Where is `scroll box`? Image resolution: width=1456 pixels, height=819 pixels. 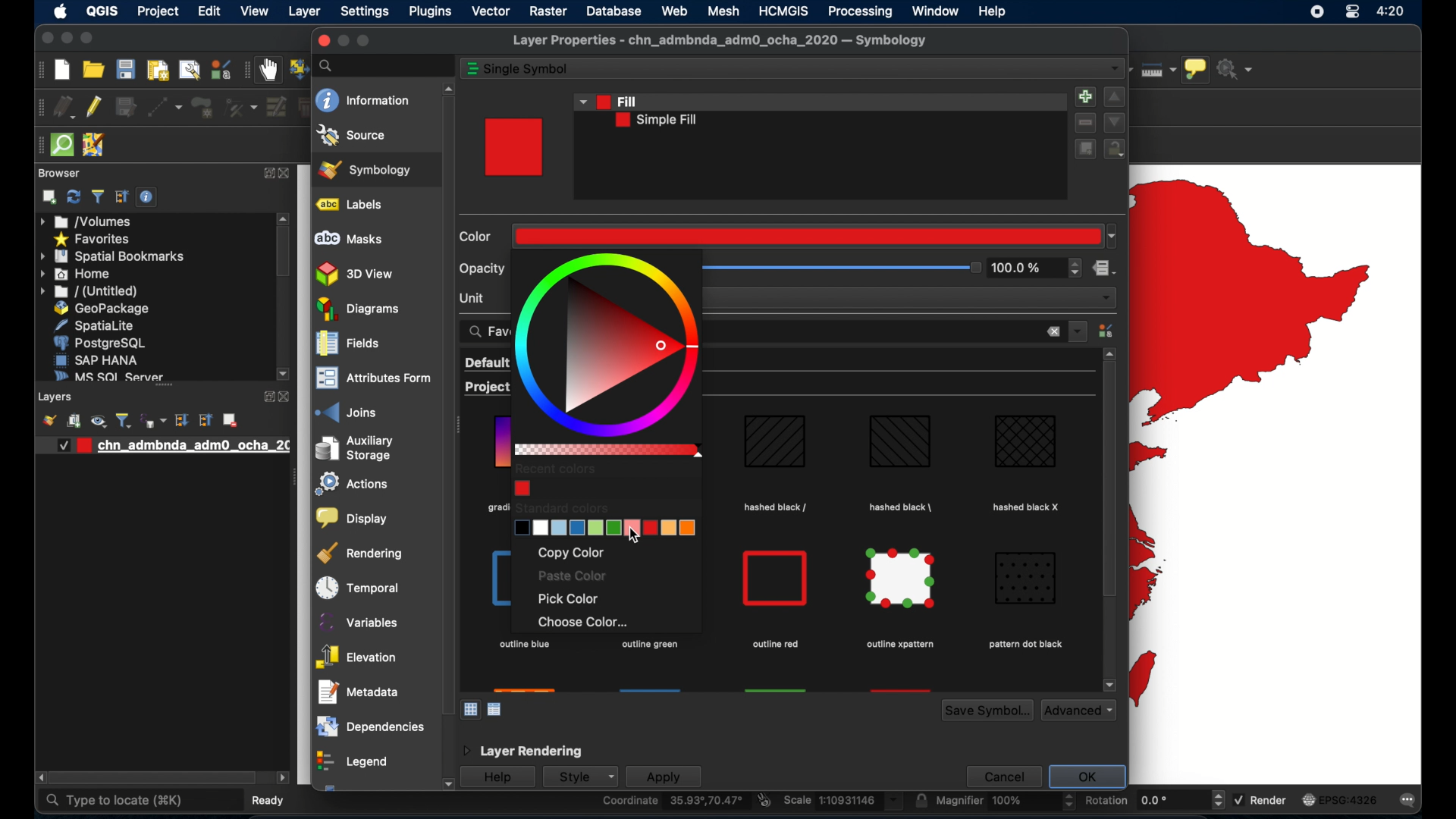
scroll box is located at coordinates (284, 253).